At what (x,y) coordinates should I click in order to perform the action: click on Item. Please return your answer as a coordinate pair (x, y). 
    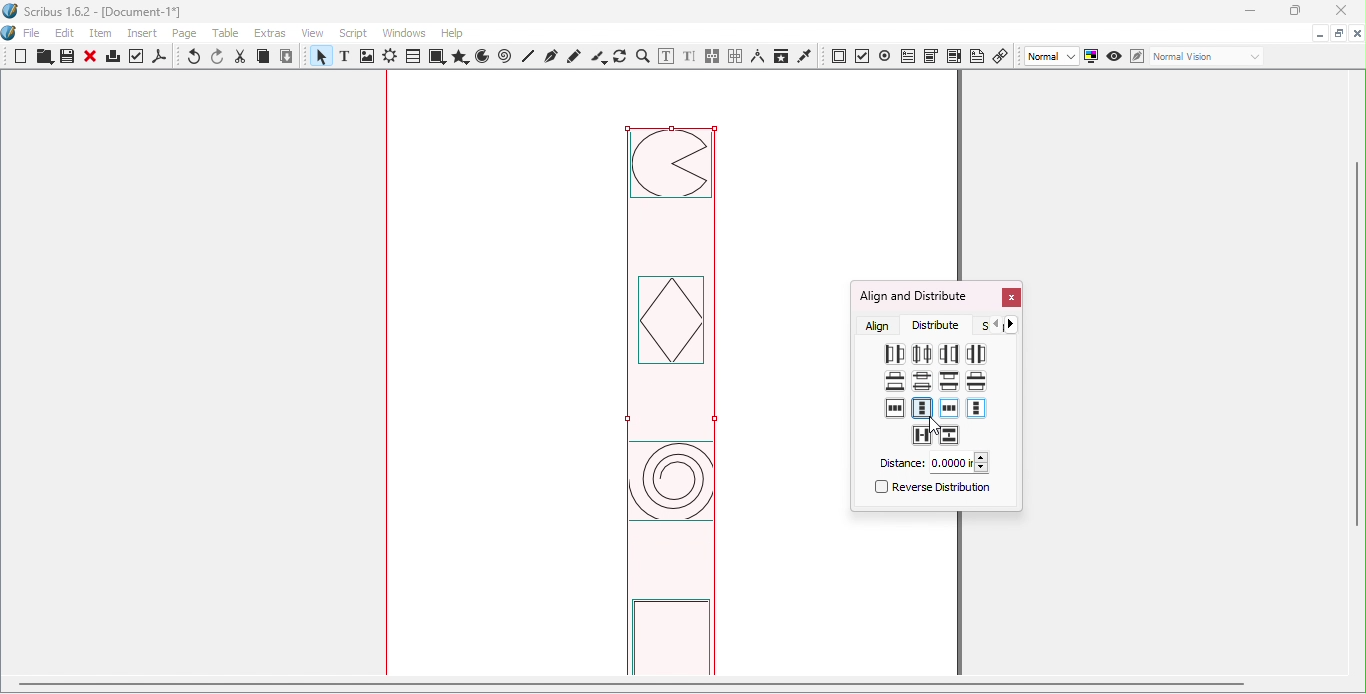
    Looking at the image, I should click on (102, 34).